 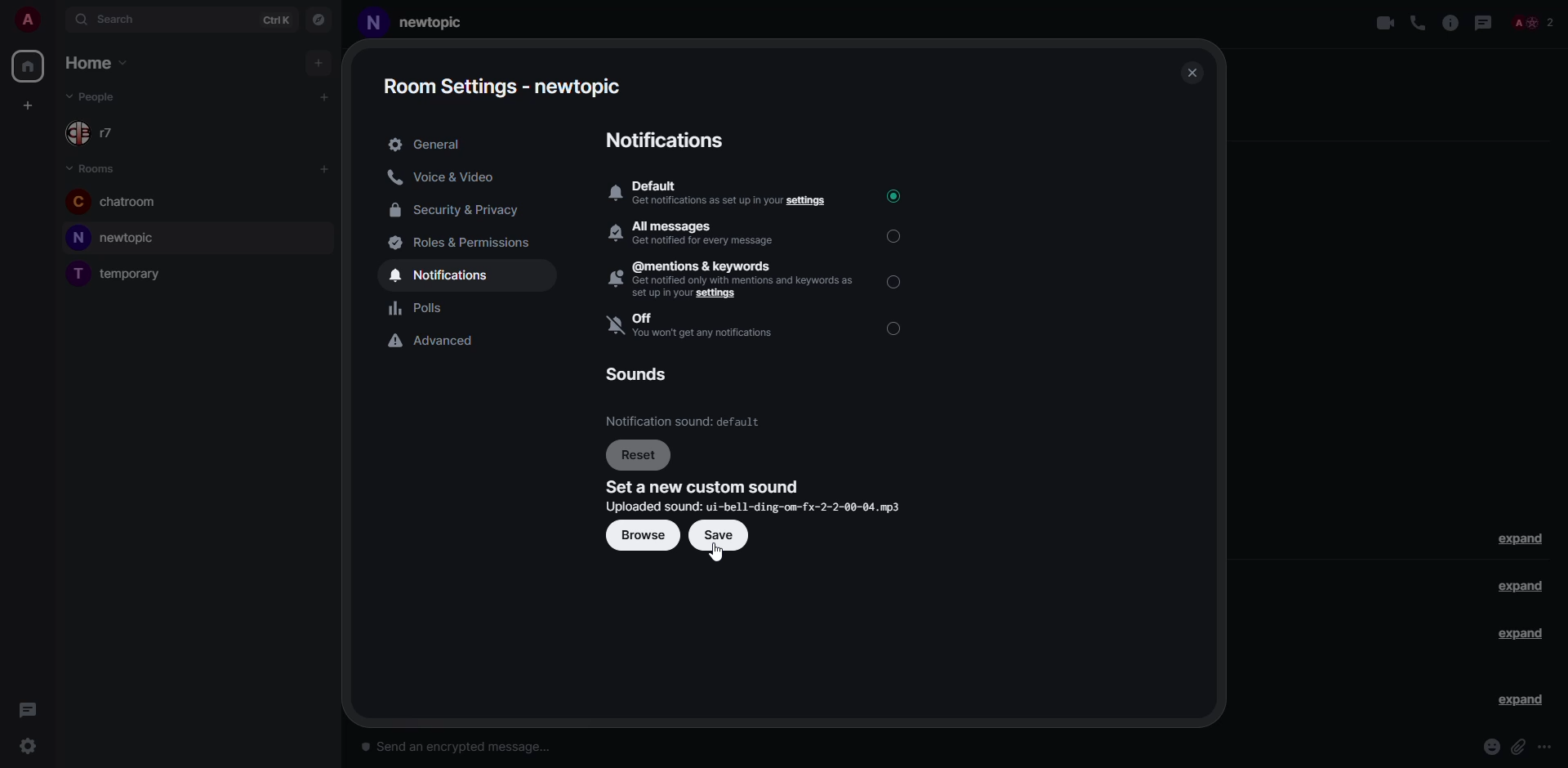 What do you see at coordinates (99, 135) in the screenshot?
I see `people` at bounding box center [99, 135].